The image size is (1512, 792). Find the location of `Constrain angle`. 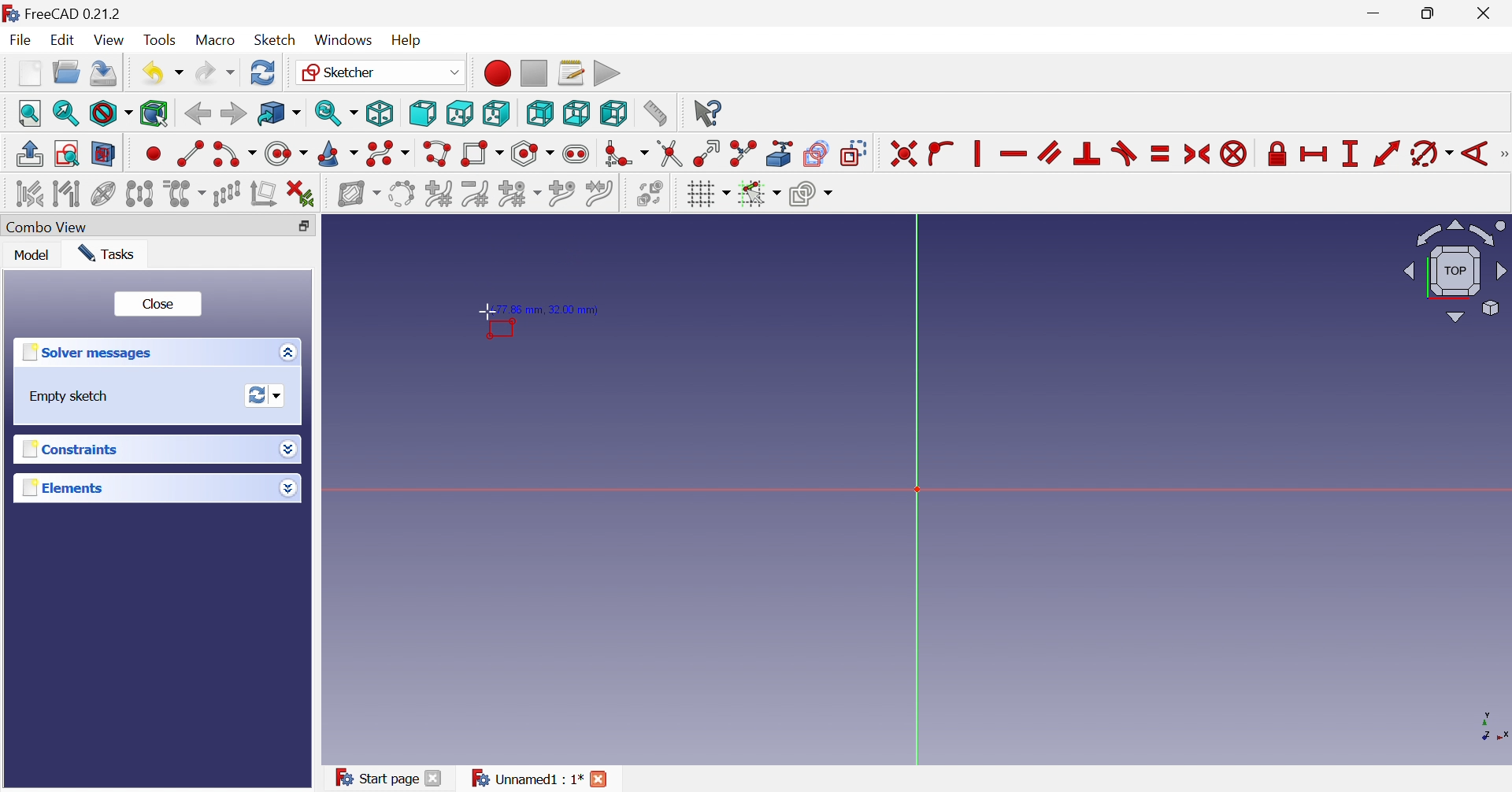

Constrain angle is located at coordinates (1476, 154).